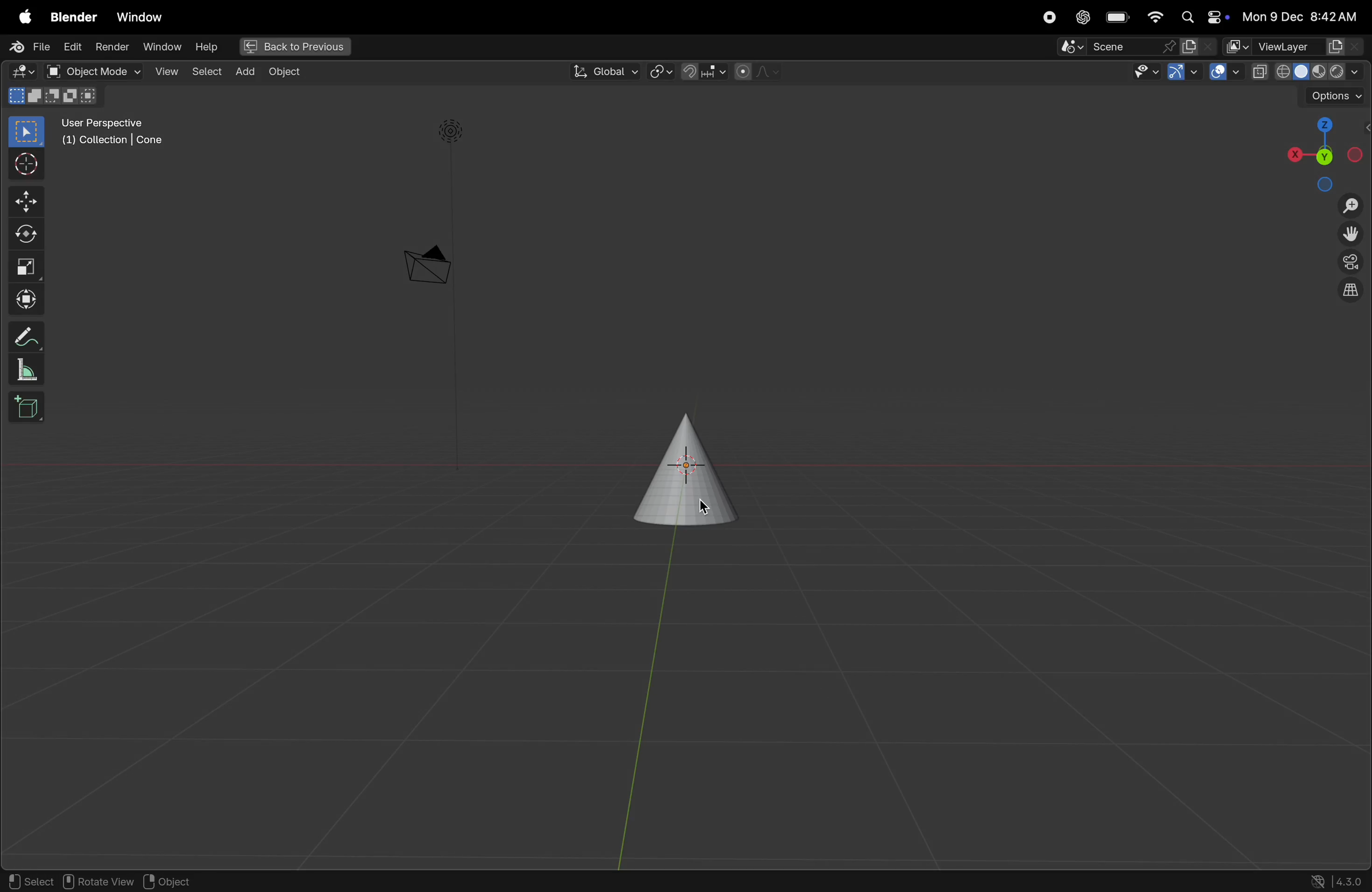 The width and height of the screenshot is (1372, 892). What do you see at coordinates (24, 235) in the screenshot?
I see `rotate` at bounding box center [24, 235].